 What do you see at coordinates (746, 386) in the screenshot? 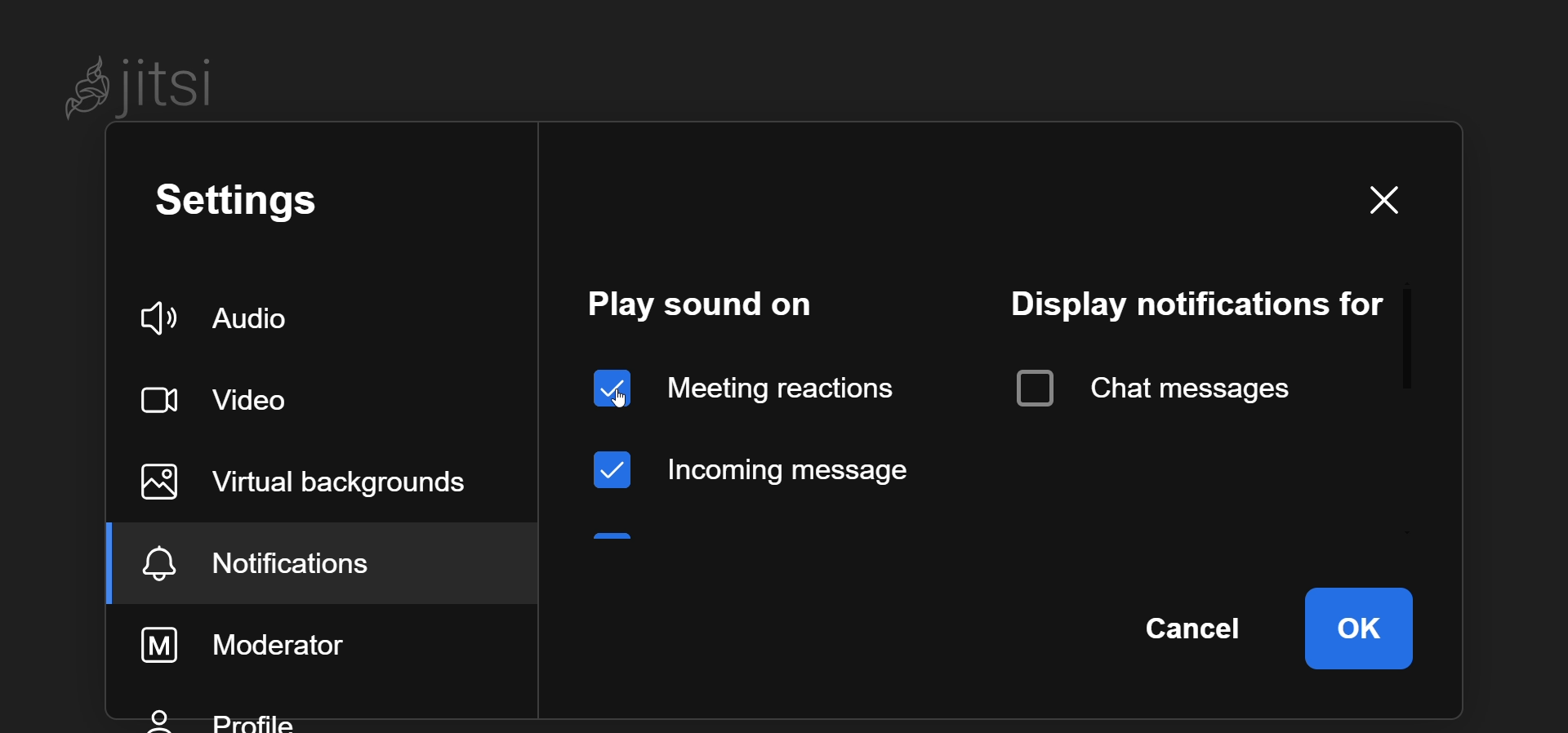
I see `enabled meeting reaction sound` at bounding box center [746, 386].